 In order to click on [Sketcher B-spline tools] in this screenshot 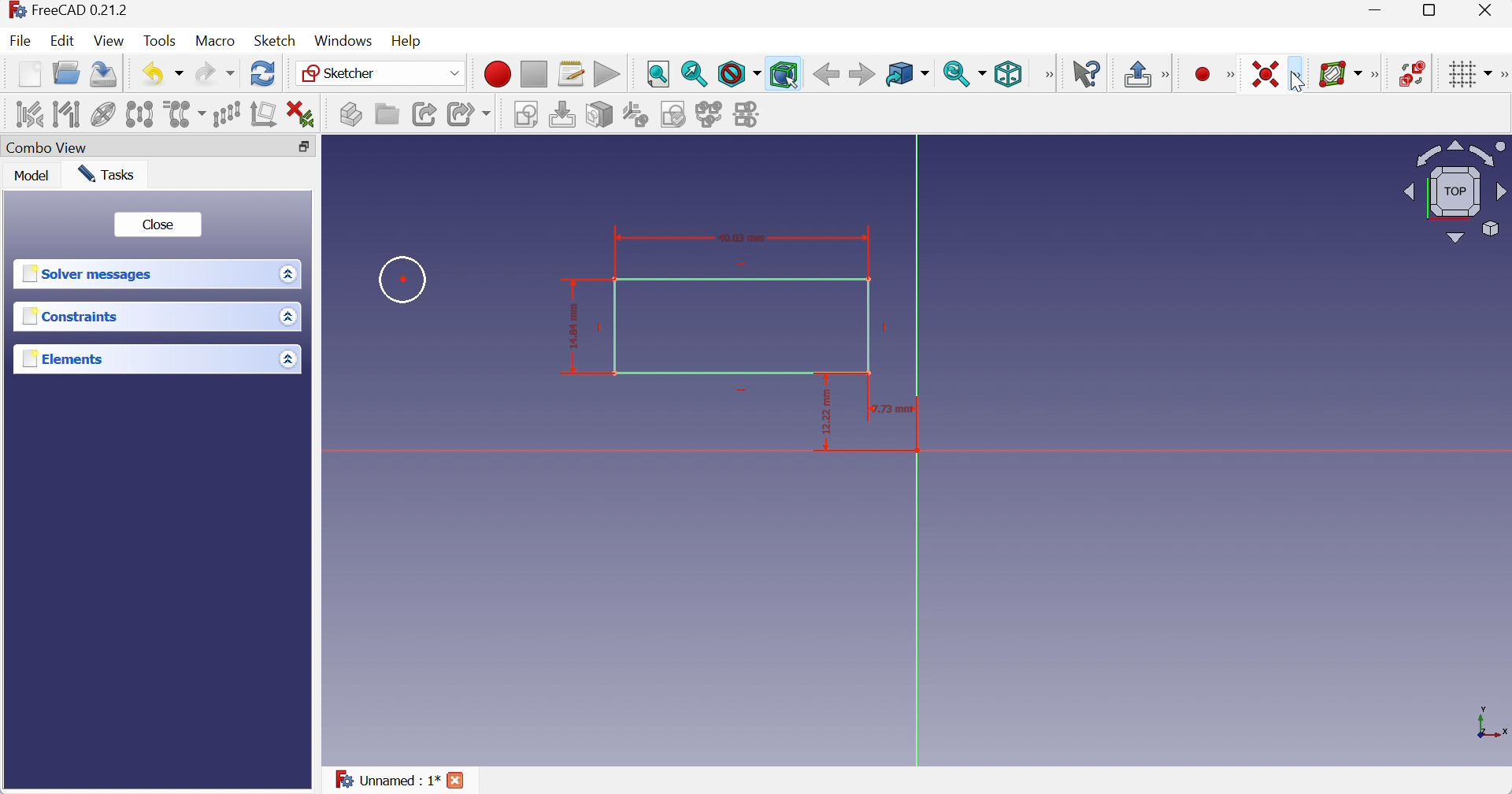, I will do `click(1377, 74)`.